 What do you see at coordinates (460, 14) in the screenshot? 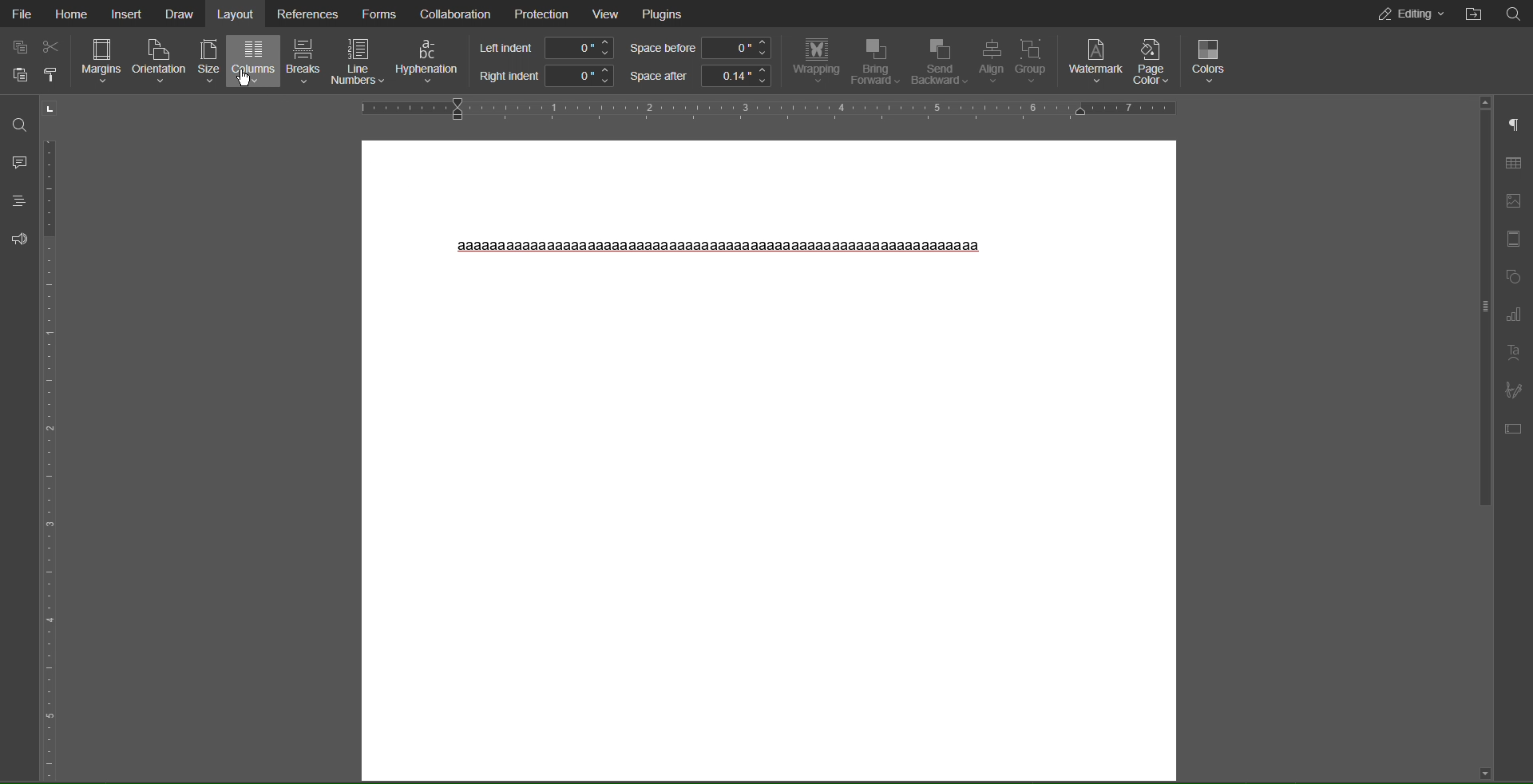
I see `Collaboration` at bounding box center [460, 14].